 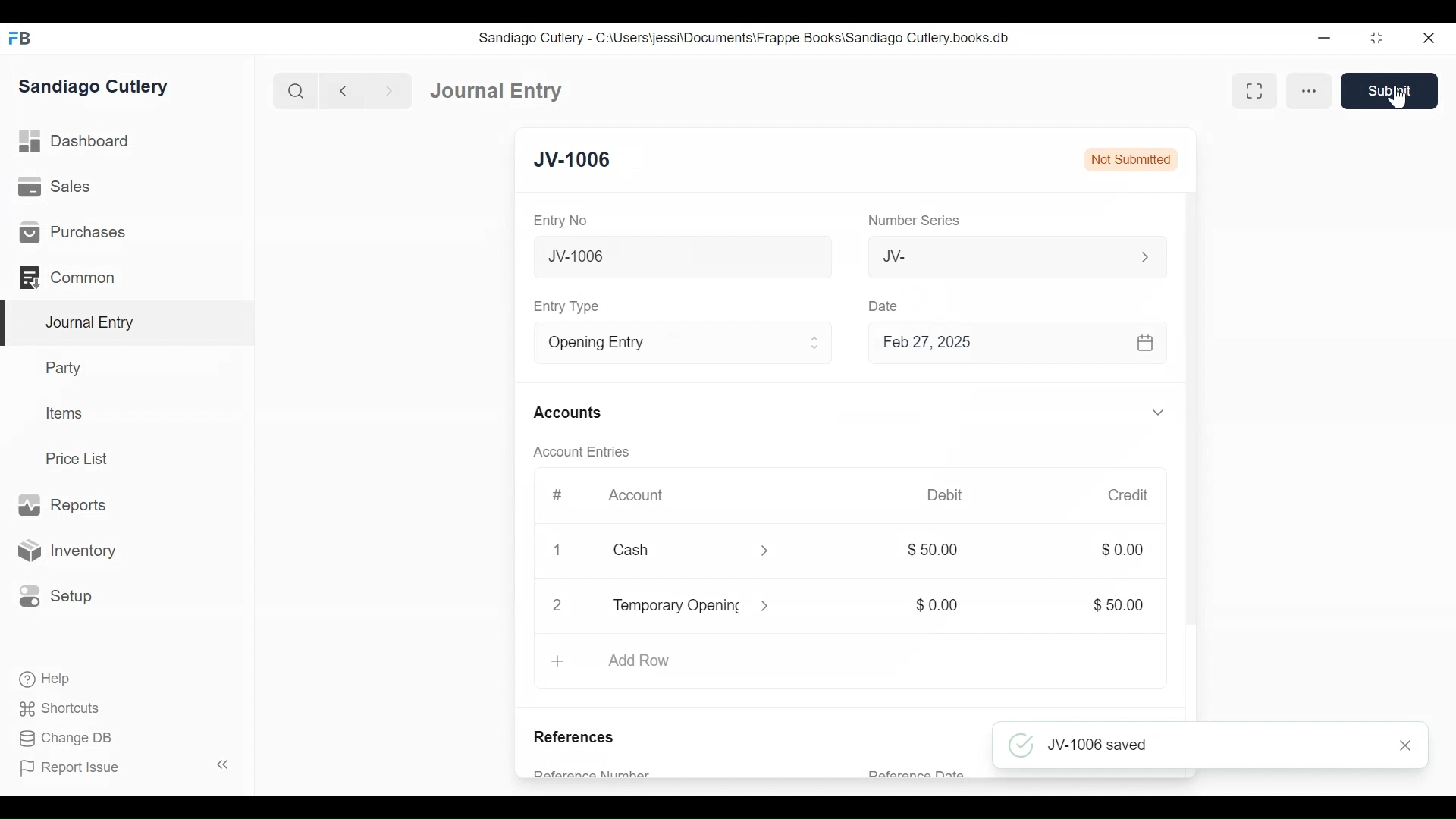 What do you see at coordinates (990, 256) in the screenshot?
I see `JV-` at bounding box center [990, 256].